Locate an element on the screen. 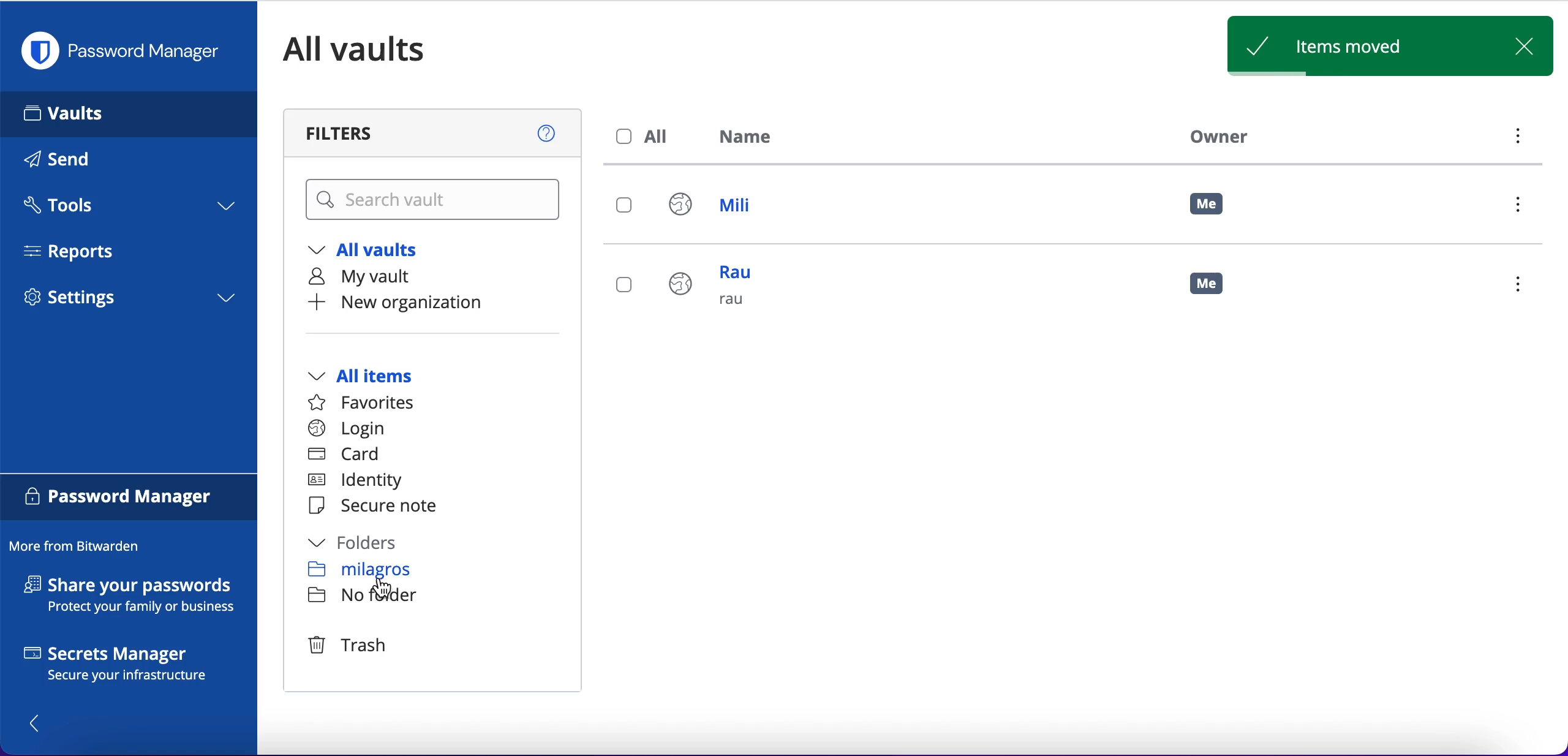 The width and height of the screenshot is (1568, 756). select login mili is located at coordinates (625, 206).